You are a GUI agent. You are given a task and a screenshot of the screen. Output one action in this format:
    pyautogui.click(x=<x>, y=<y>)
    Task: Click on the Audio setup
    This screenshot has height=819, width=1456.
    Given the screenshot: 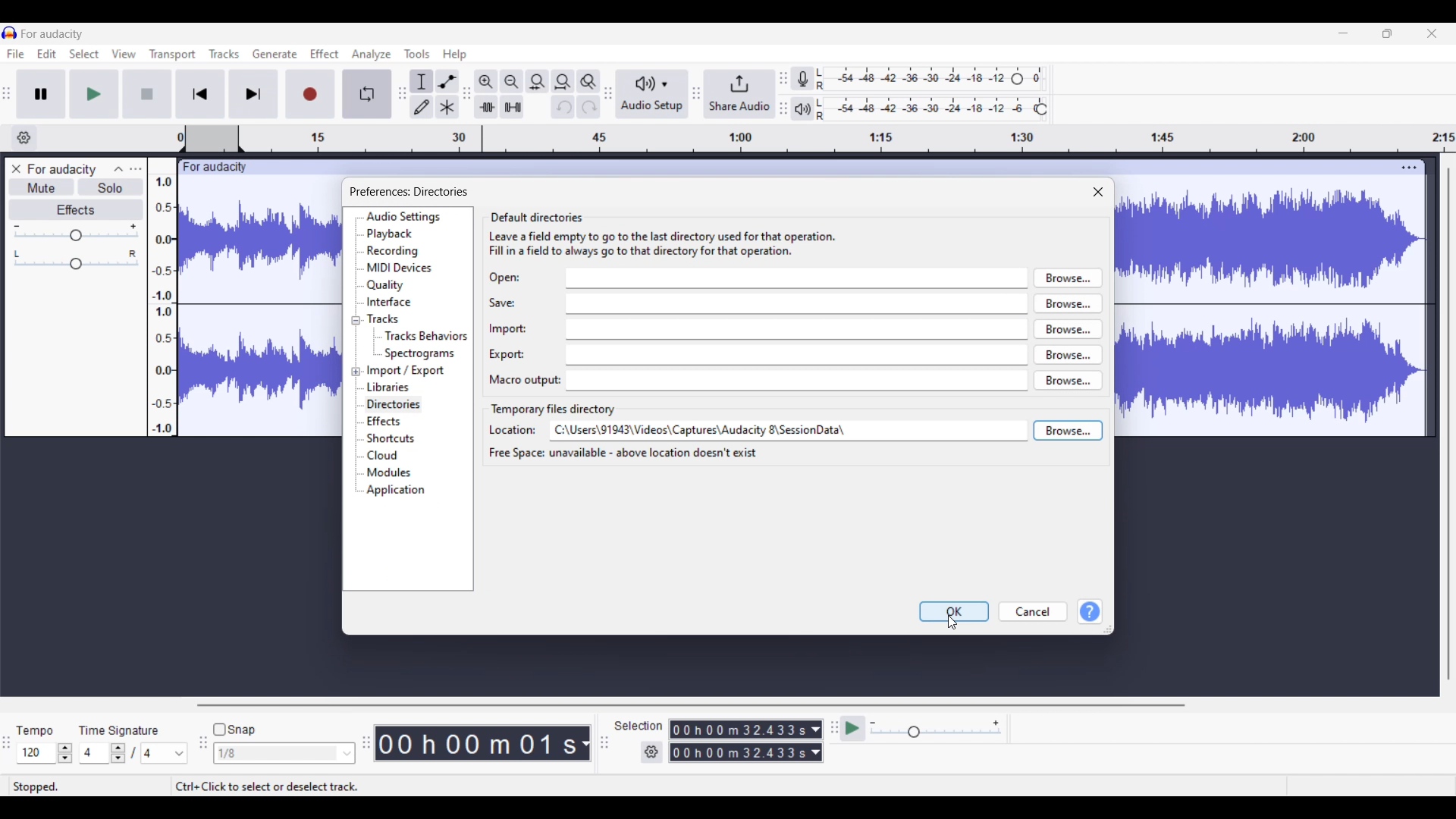 What is the action you would take?
    pyautogui.click(x=652, y=93)
    